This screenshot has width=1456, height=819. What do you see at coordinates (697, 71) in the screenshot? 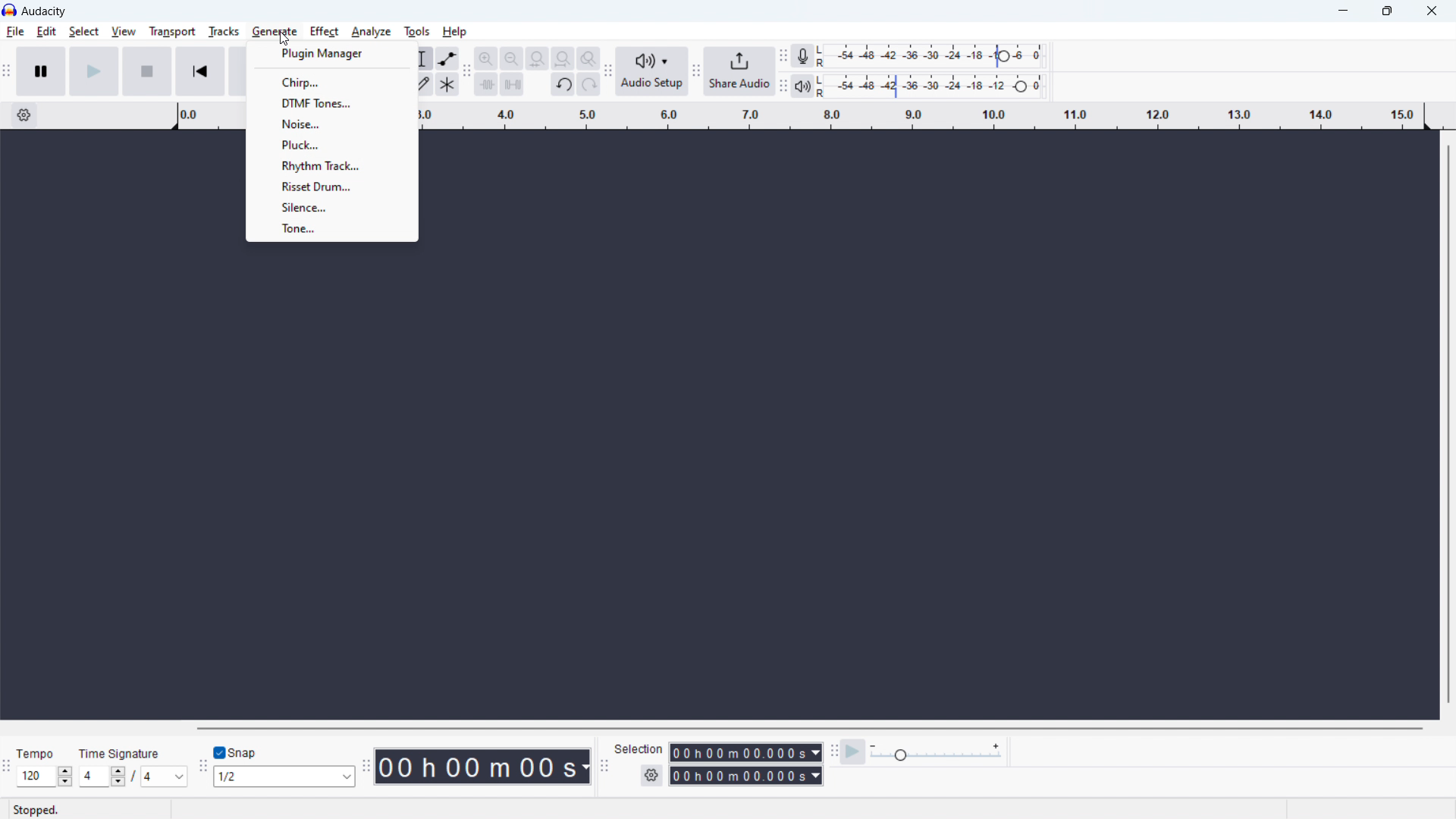
I see `share audio toolbar` at bounding box center [697, 71].